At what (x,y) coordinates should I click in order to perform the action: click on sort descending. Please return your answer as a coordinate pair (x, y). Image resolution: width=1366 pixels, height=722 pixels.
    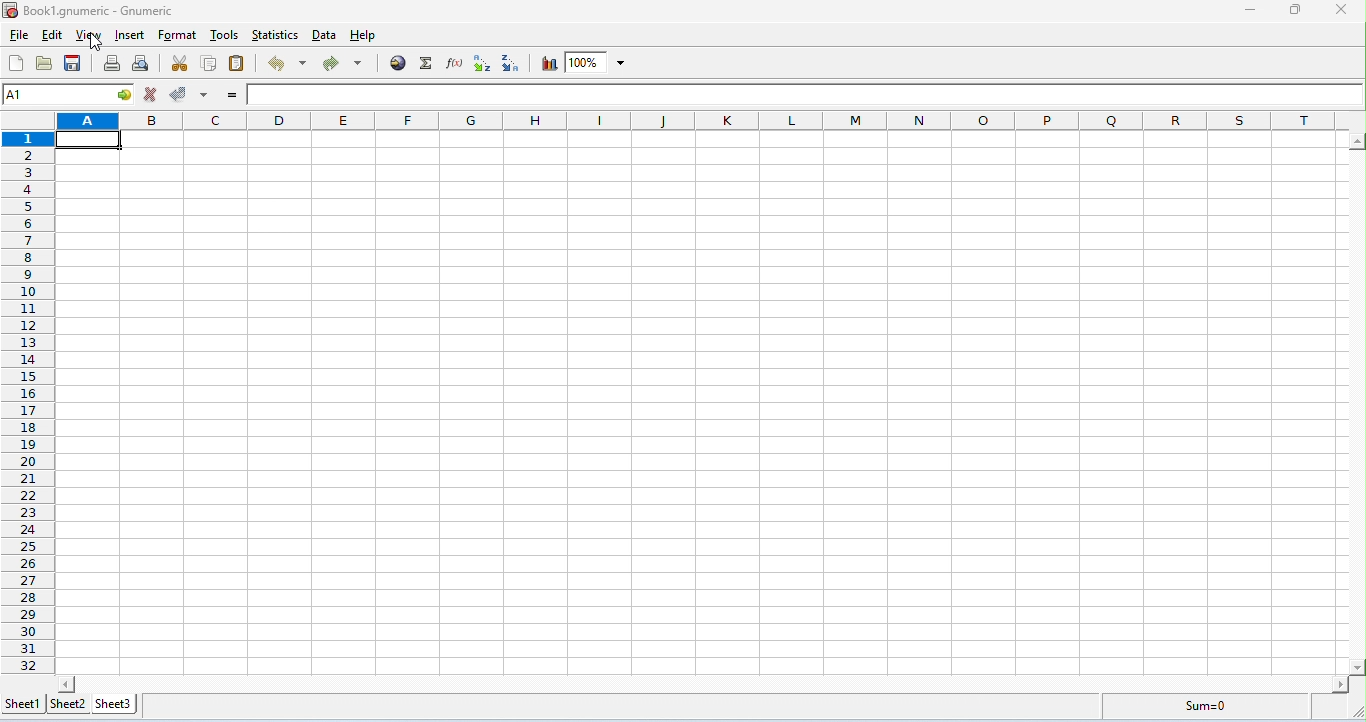
    Looking at the image, I should click on (511, 63).